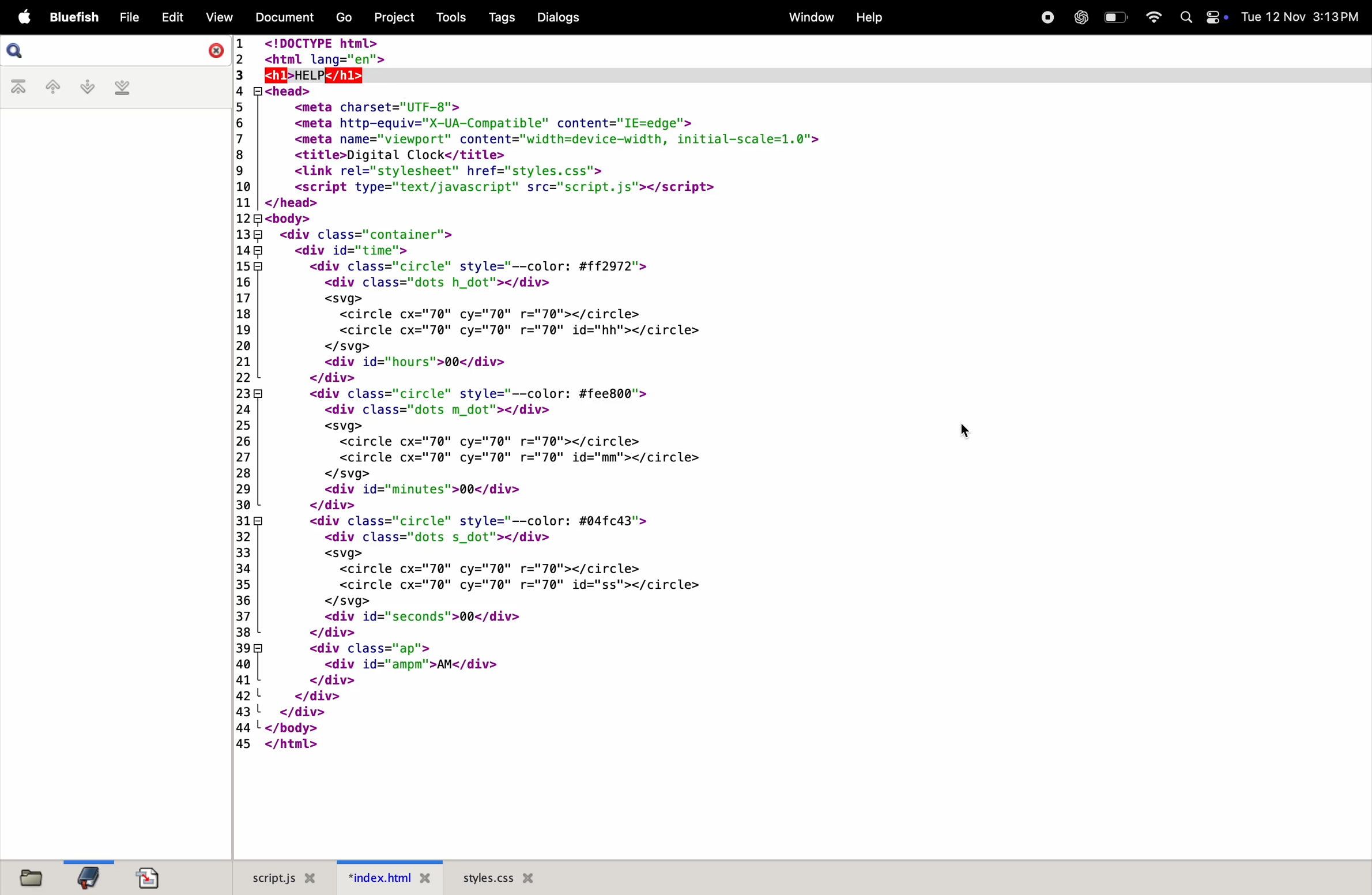  Describe the element at coordinates (1149, 17) in the screenshot. I see `wifi` at that location.